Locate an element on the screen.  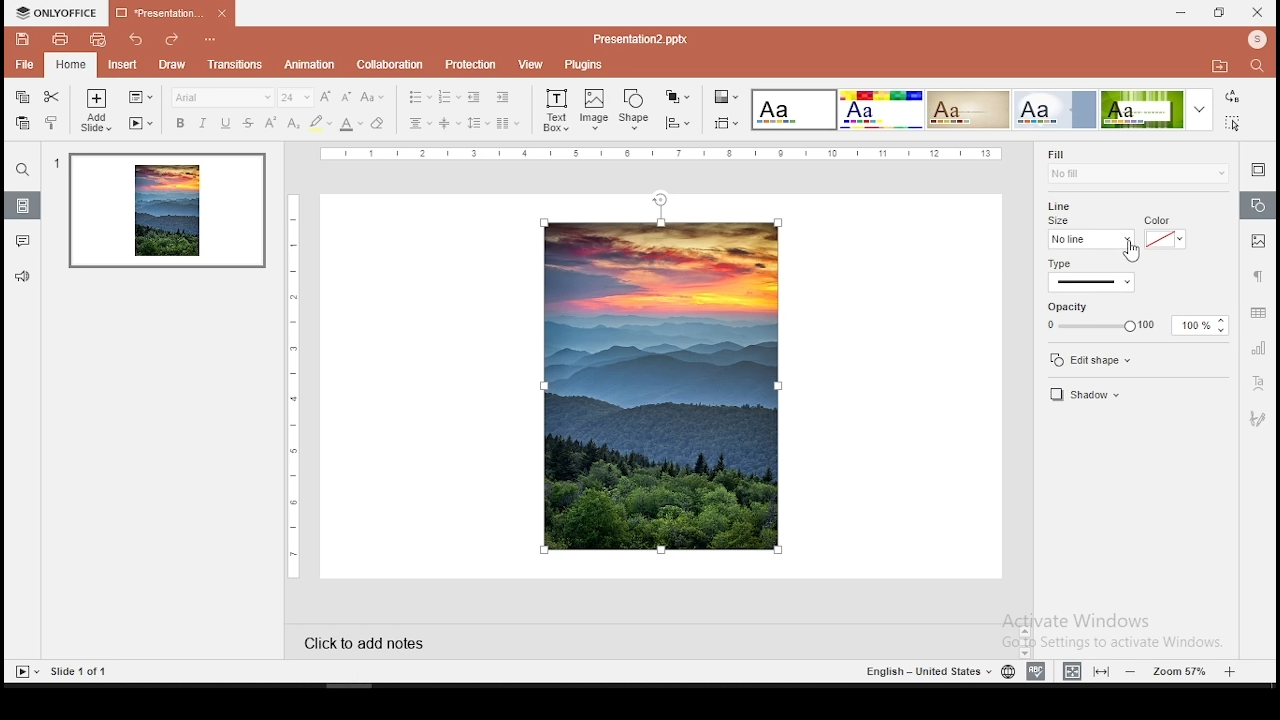
home is located at coordinates (69, 65).